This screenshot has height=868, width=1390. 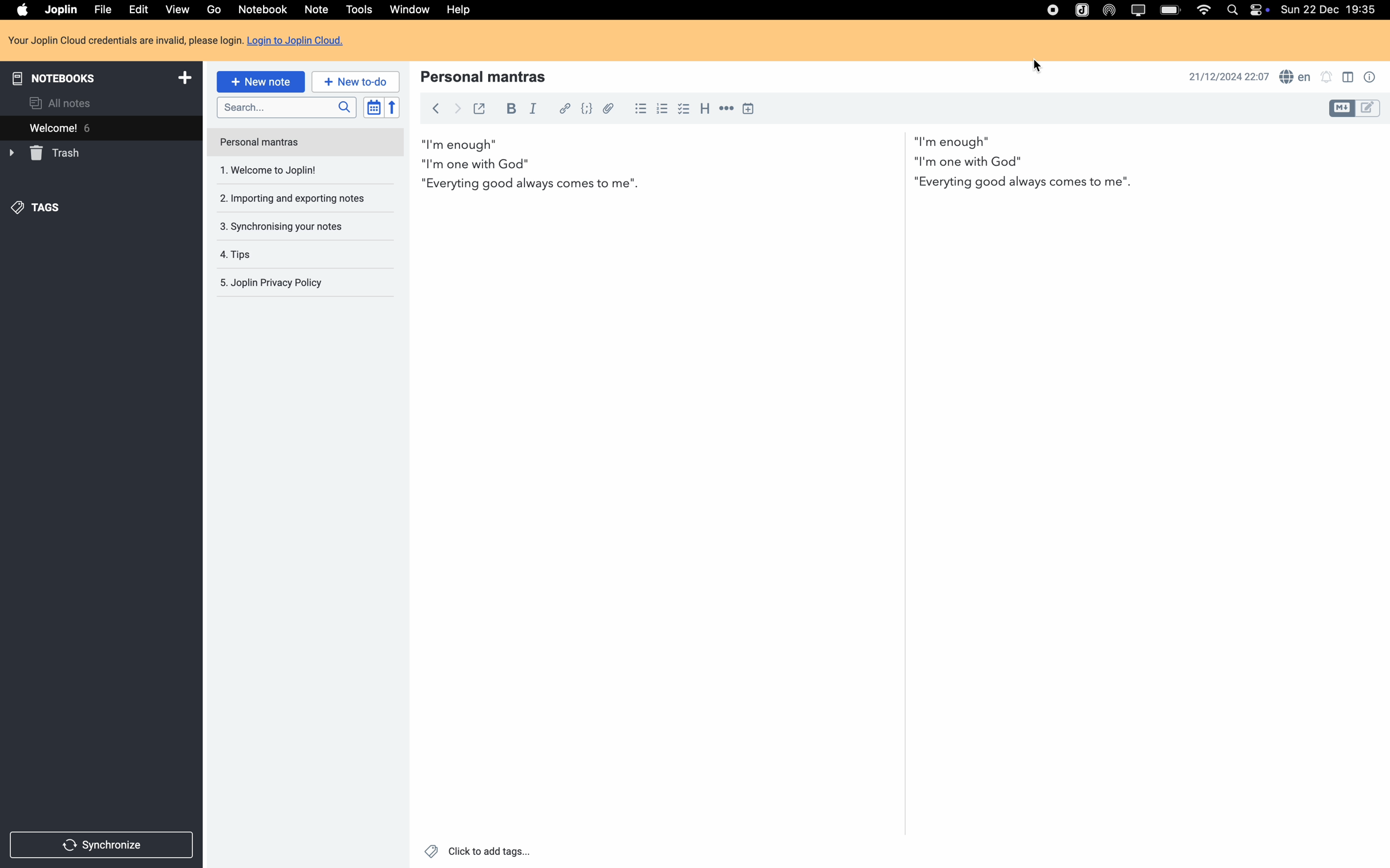 I want to click on toggle sort order field, so click(x=372, y=107).